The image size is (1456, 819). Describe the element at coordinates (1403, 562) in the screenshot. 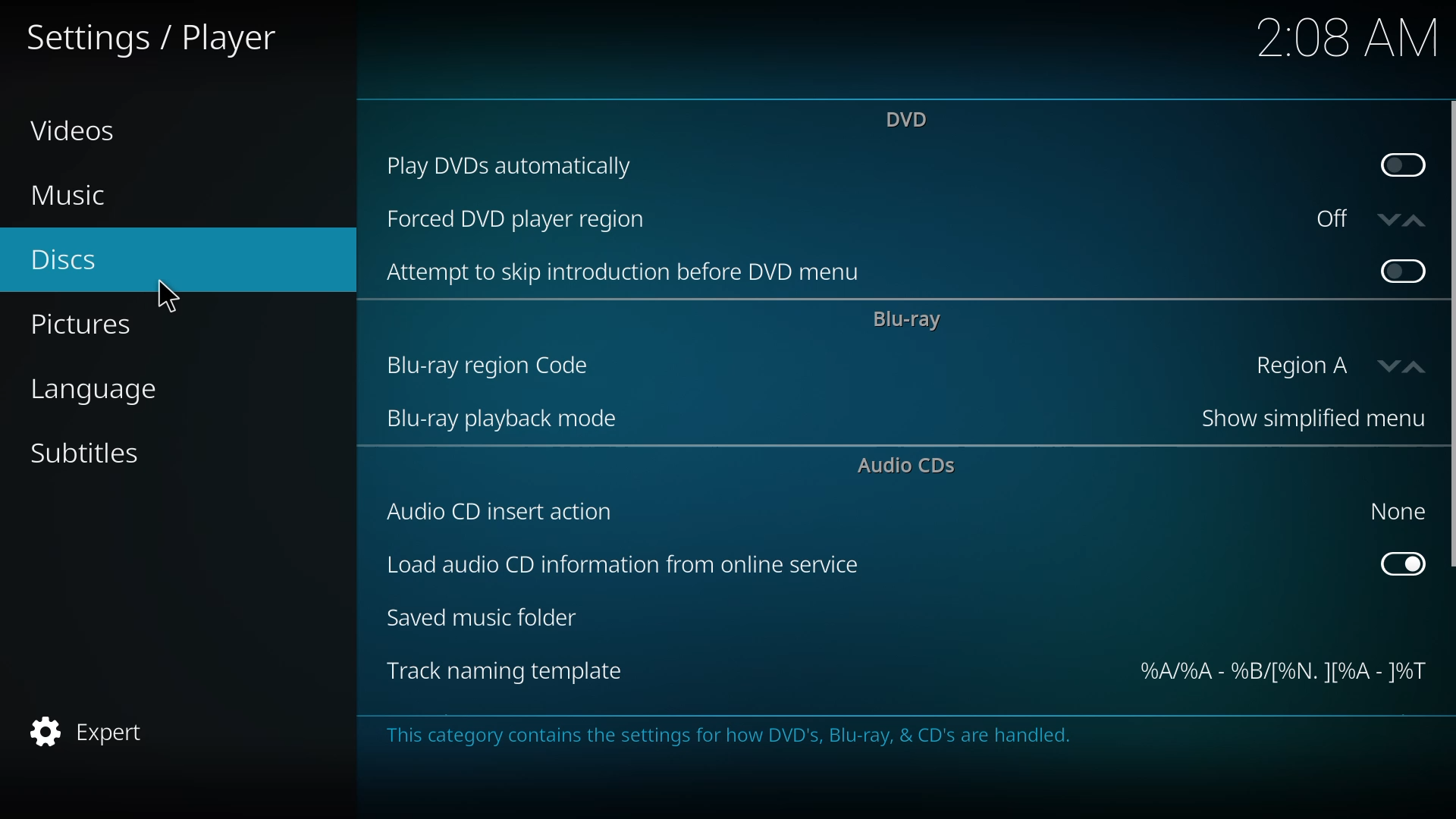

I see `enabled` at that location.